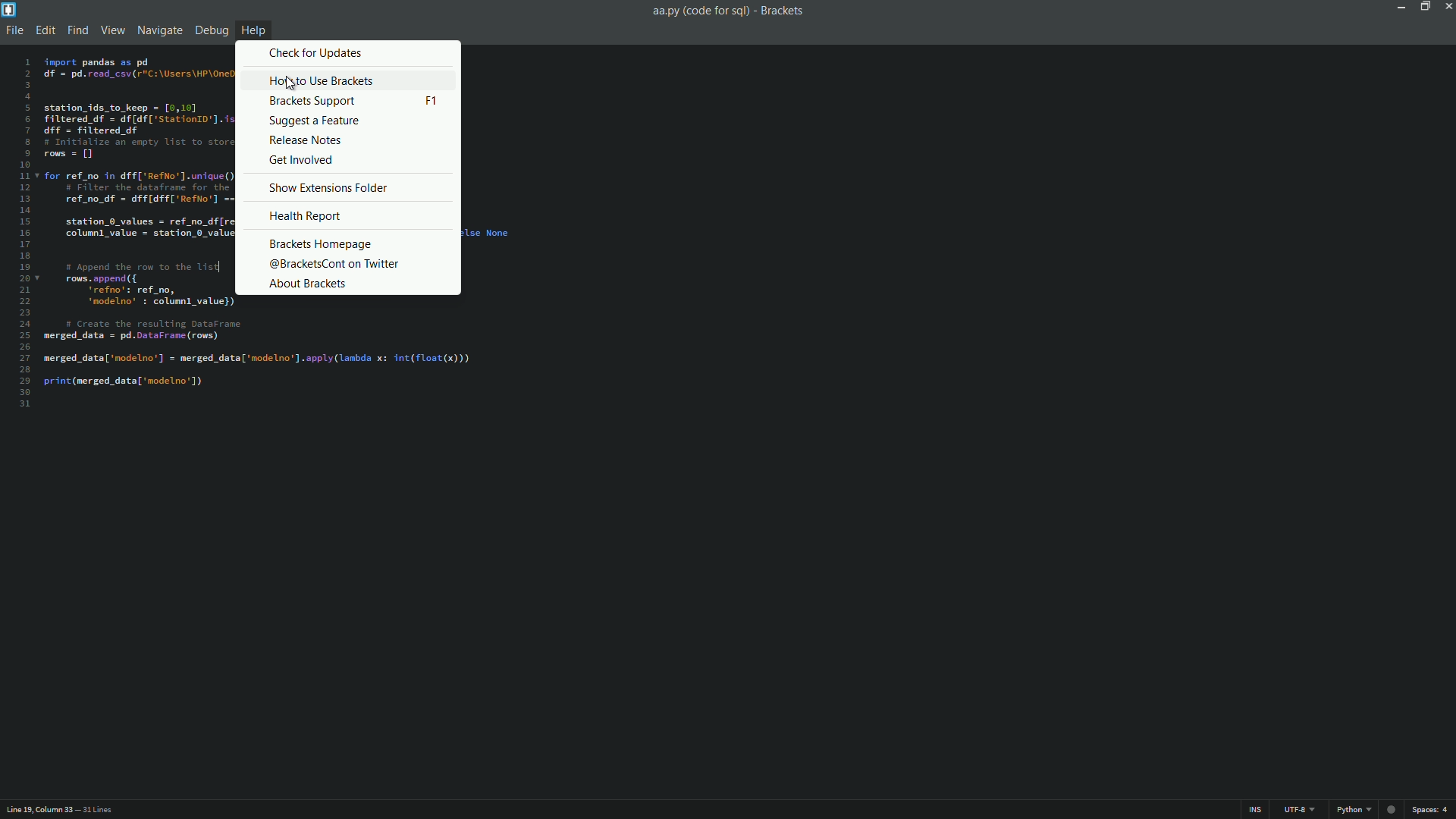 The height and width of the screenshot is (819, 1456). What do you see at coordinates (159, 30) in the screenshot?
I see `navigate menu` at bounding box center [159, 30].